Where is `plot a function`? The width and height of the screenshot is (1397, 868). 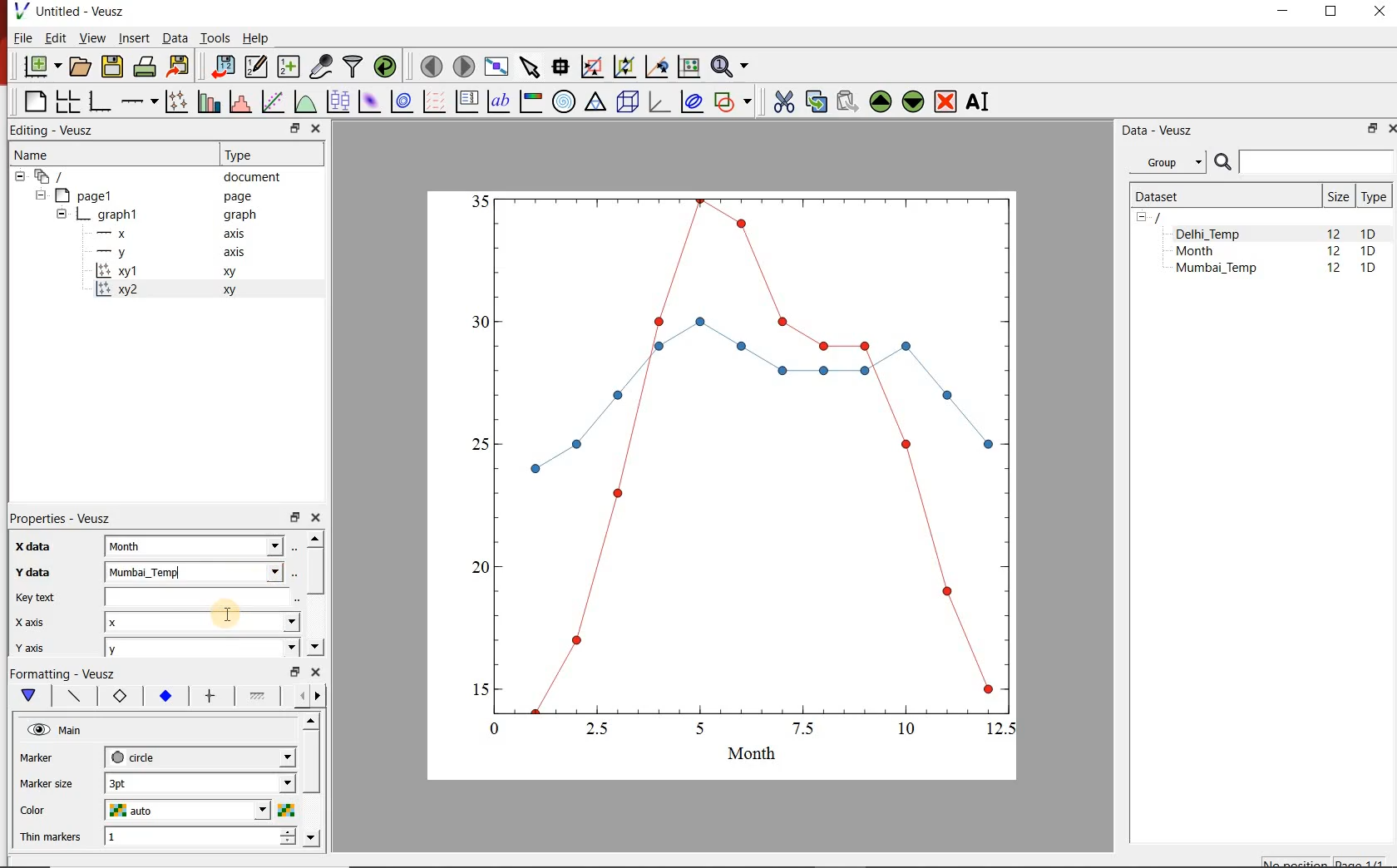
plot a function is located at coordinates (305, 101).